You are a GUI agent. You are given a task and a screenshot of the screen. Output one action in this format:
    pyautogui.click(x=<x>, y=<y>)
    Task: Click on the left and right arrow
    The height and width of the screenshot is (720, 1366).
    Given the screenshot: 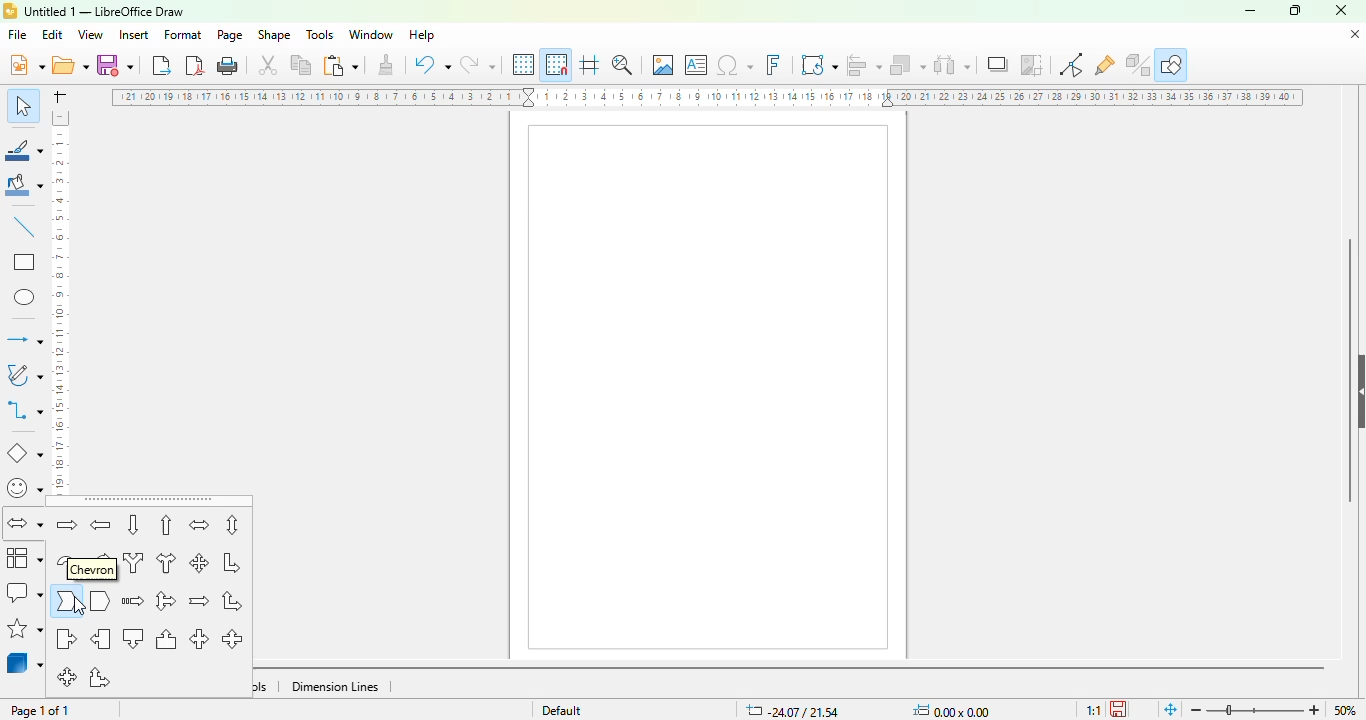 What is the action you would take?
    pyautogui.click(x=200, y=525)
    